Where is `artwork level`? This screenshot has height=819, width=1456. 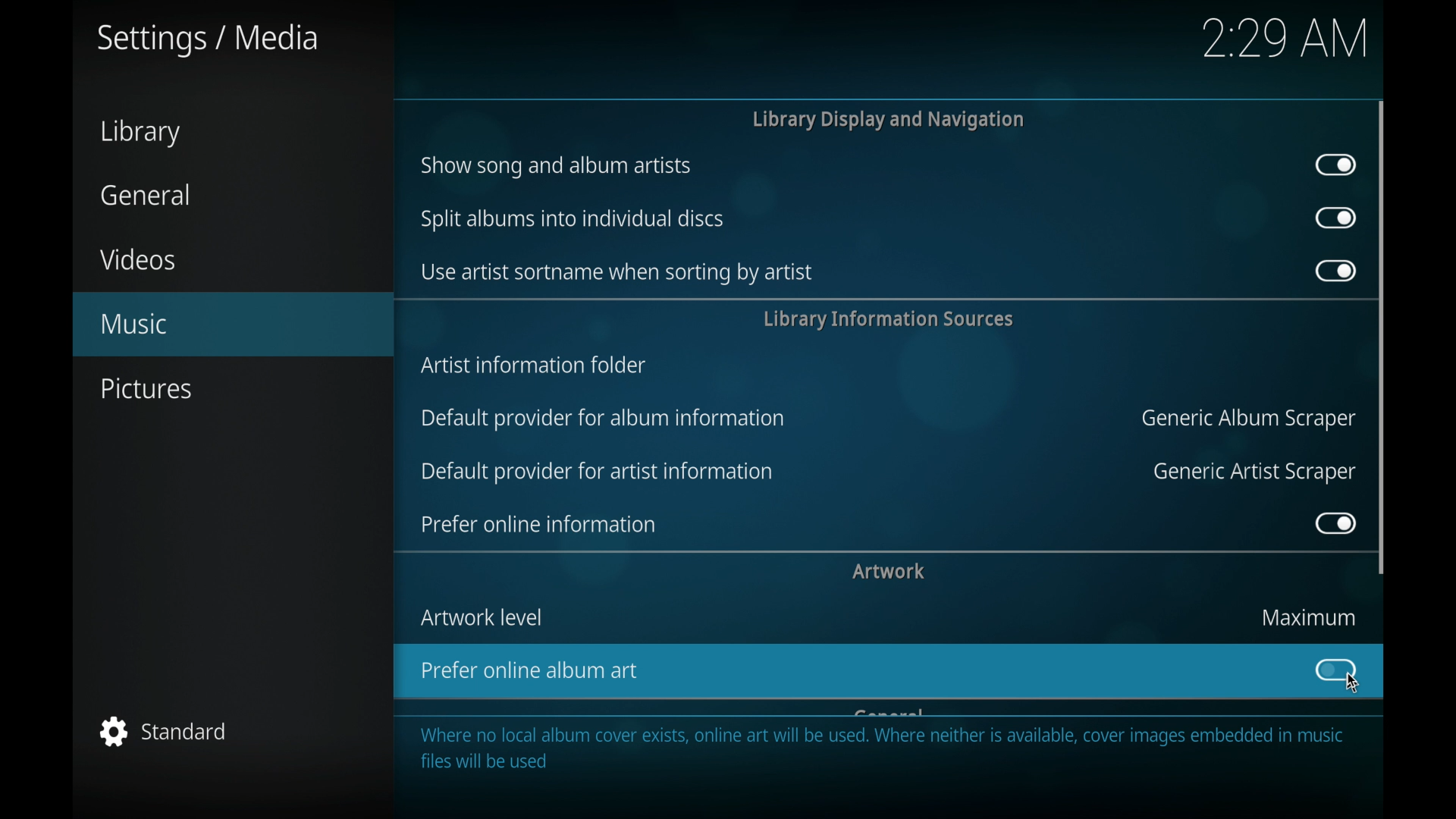 artwork level is located at coordinates (481, 617).